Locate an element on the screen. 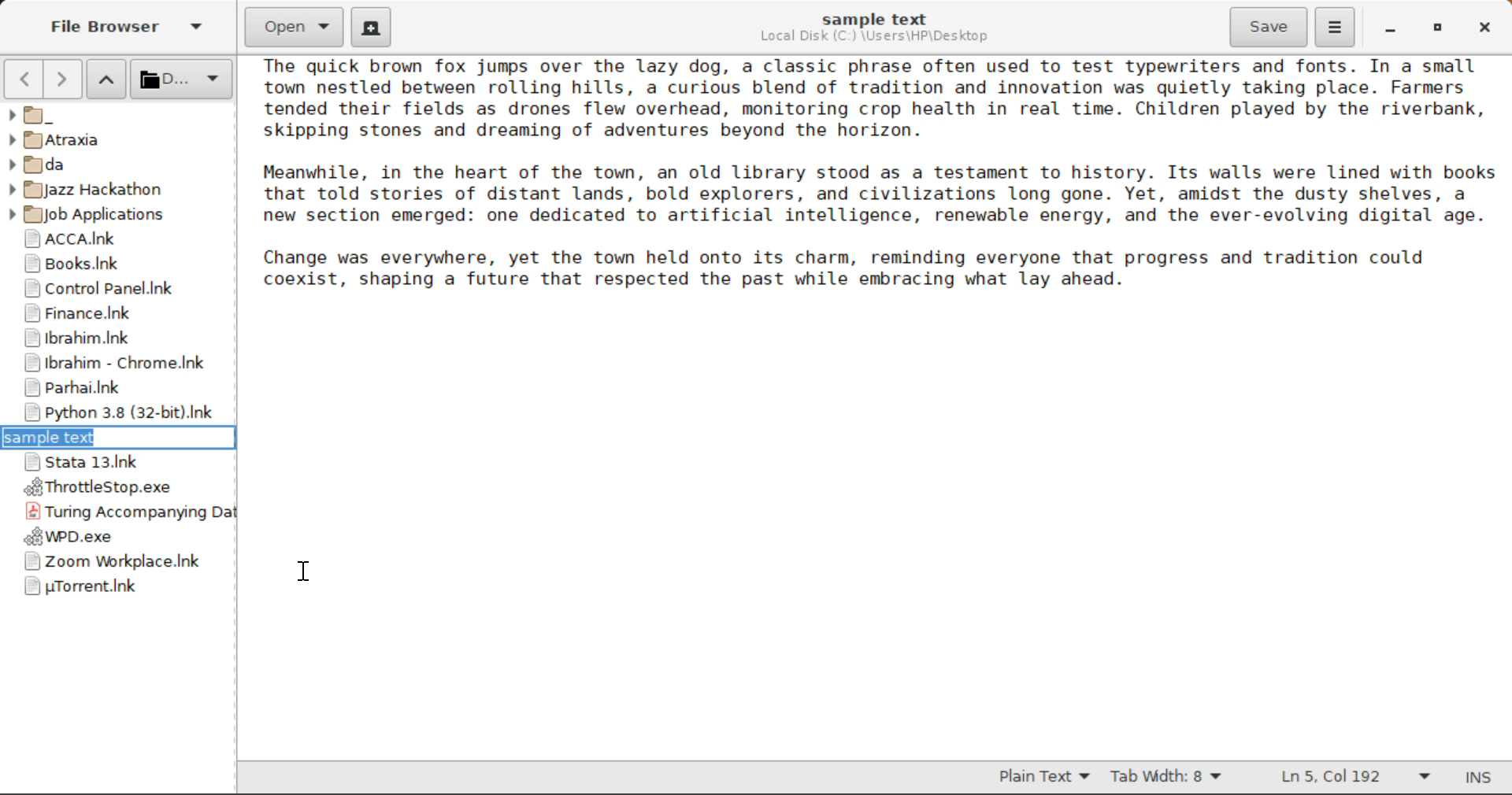  Selected Folder is located at coordinates (180, 79).